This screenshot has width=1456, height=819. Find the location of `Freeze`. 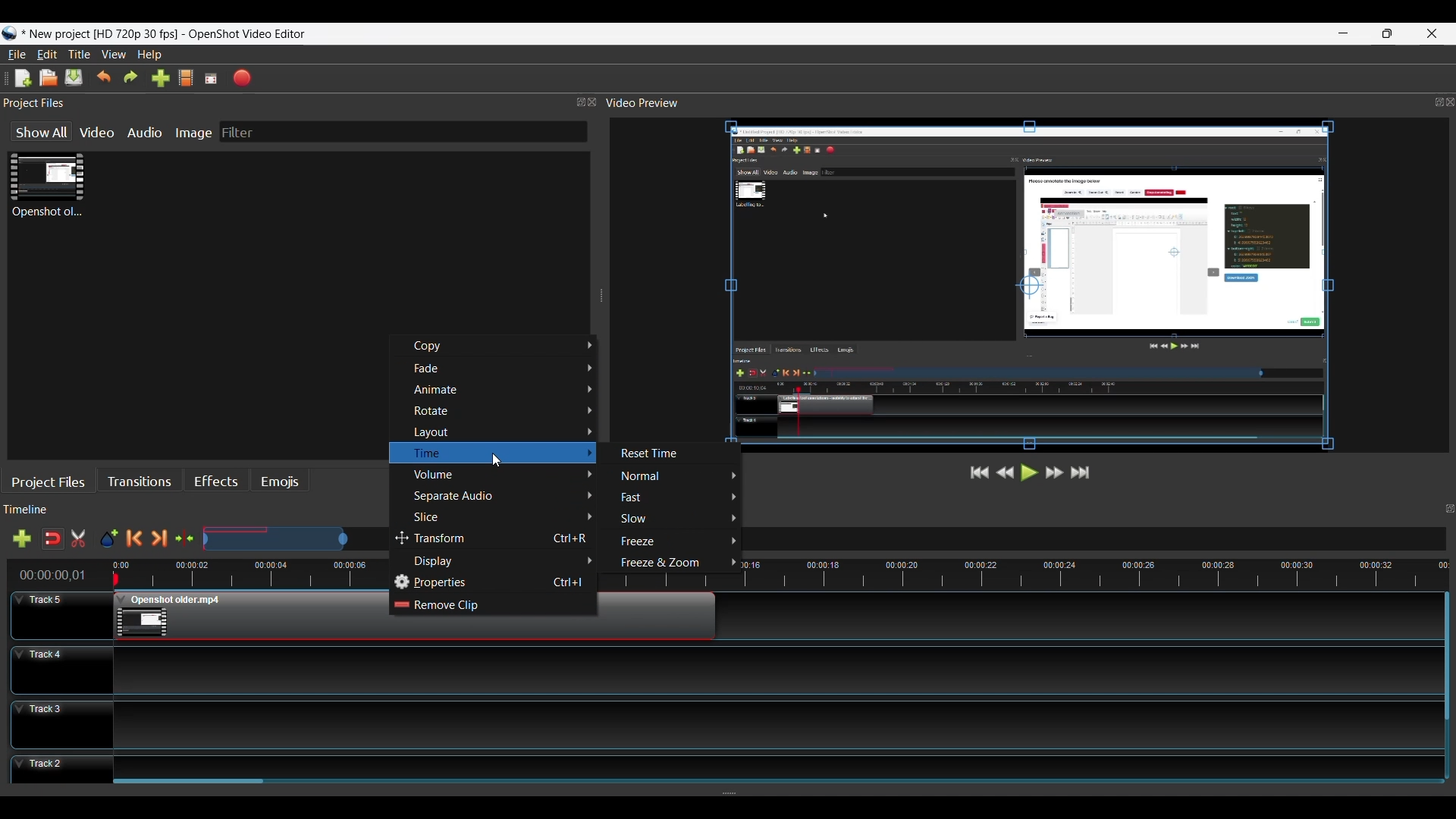

Freeze is located at coordinates (674, 542).